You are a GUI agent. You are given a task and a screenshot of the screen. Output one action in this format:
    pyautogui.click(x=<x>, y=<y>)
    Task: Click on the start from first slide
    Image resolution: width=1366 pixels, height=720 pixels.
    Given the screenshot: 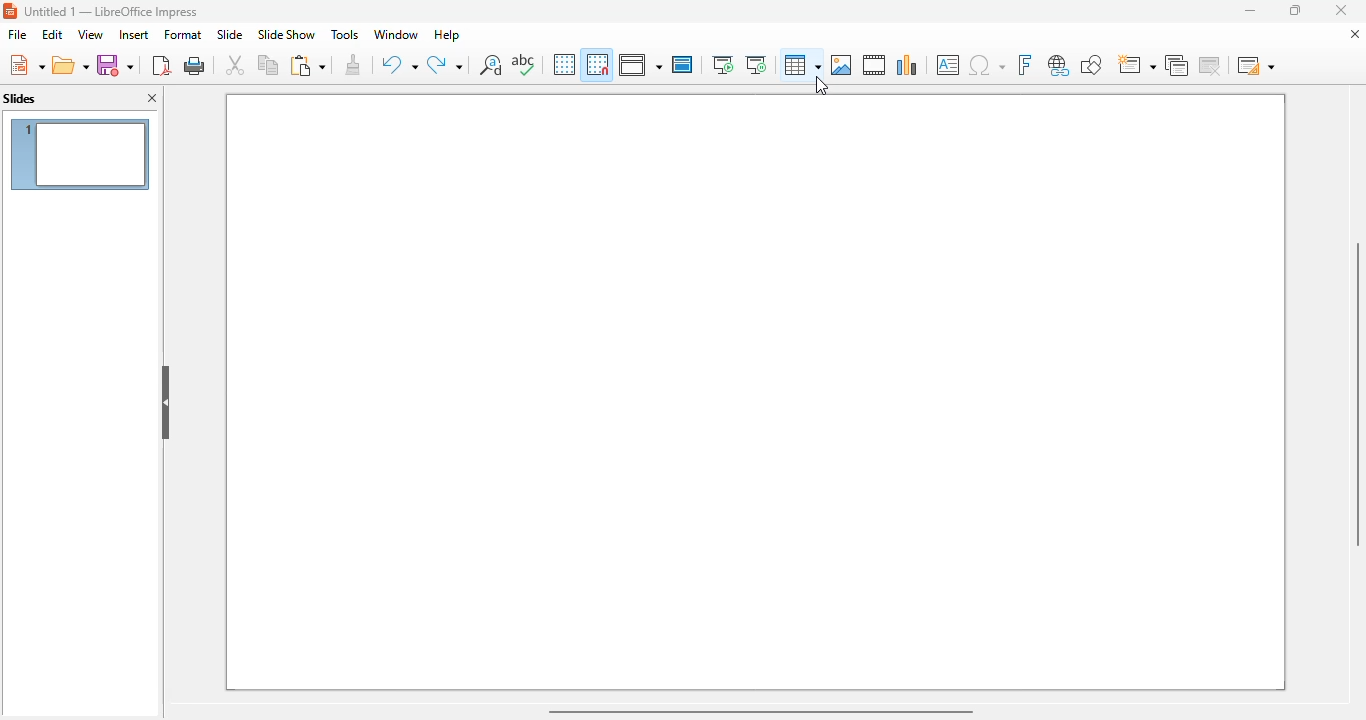 What is the action you would take?
    pyautogui.click(x=724, y=65)
    